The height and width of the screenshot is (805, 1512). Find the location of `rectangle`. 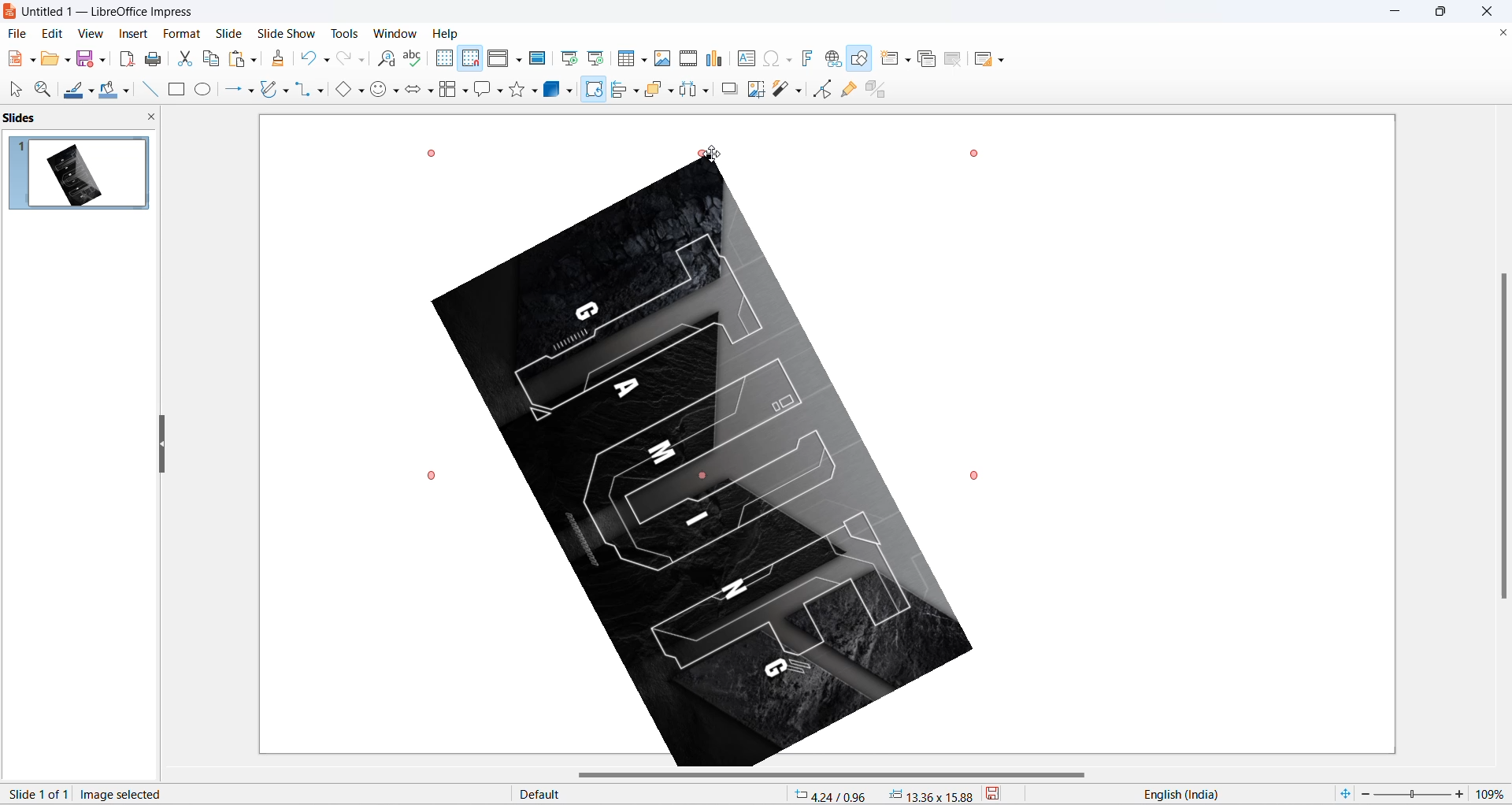

rectangle is located at coordinates (176, 91).